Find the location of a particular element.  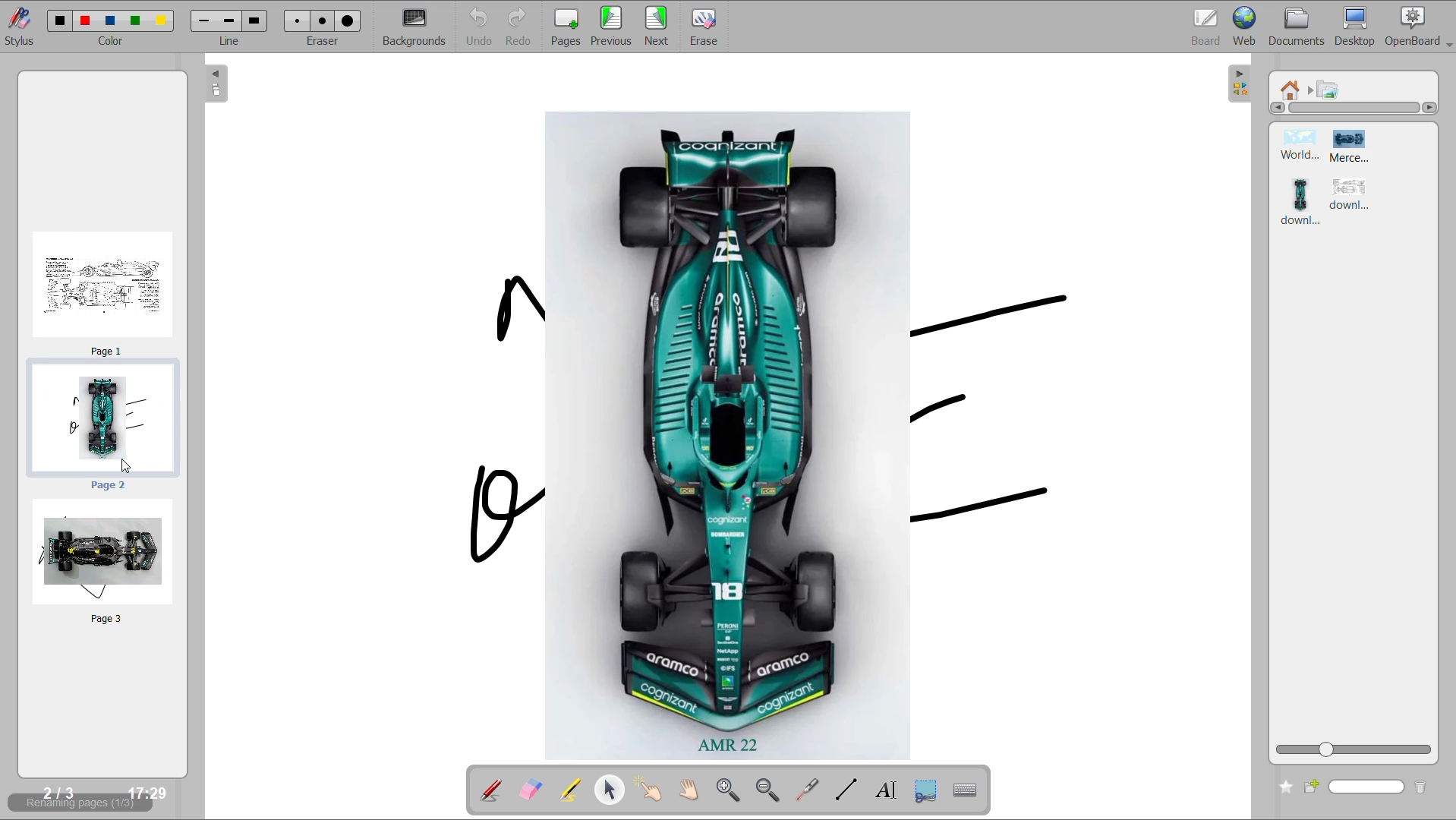

rearranged page 1 is located at coordinates (102, 289).